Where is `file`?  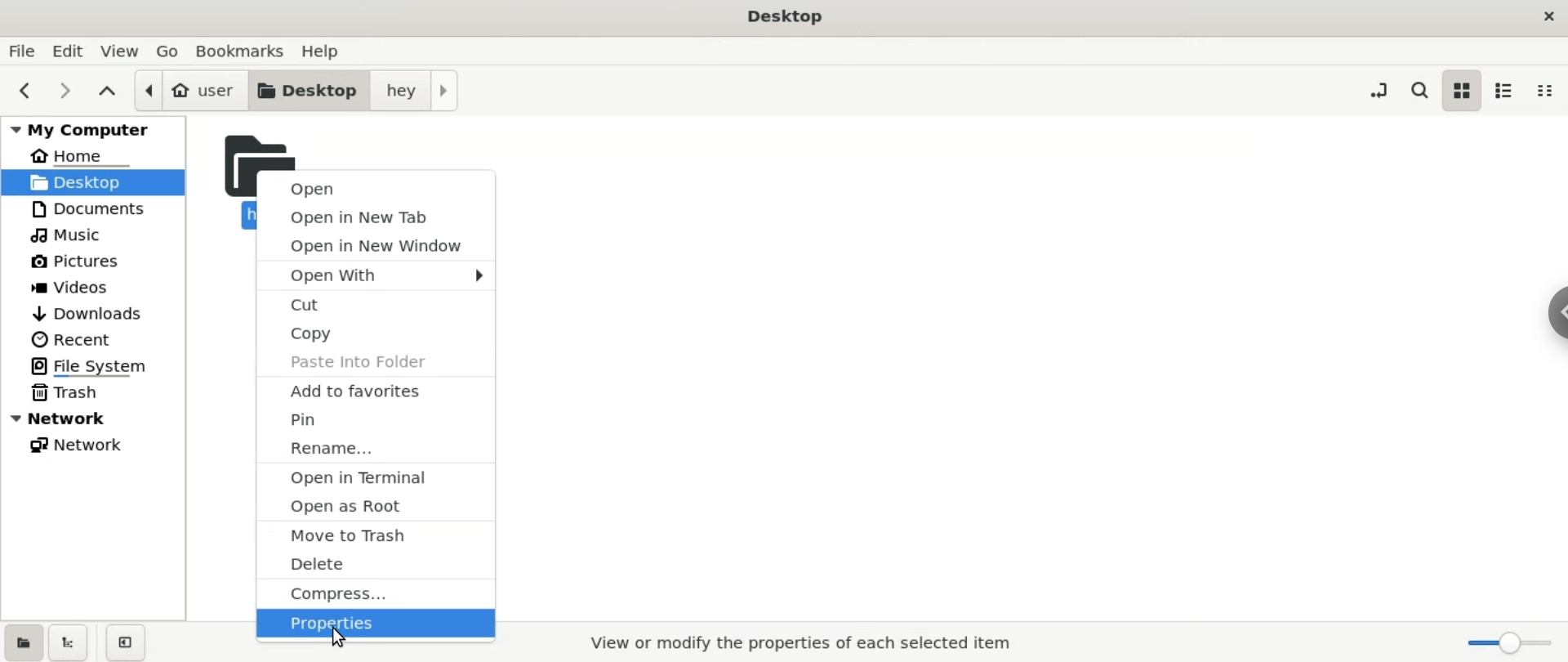 file is located at coordinates (21, 53).